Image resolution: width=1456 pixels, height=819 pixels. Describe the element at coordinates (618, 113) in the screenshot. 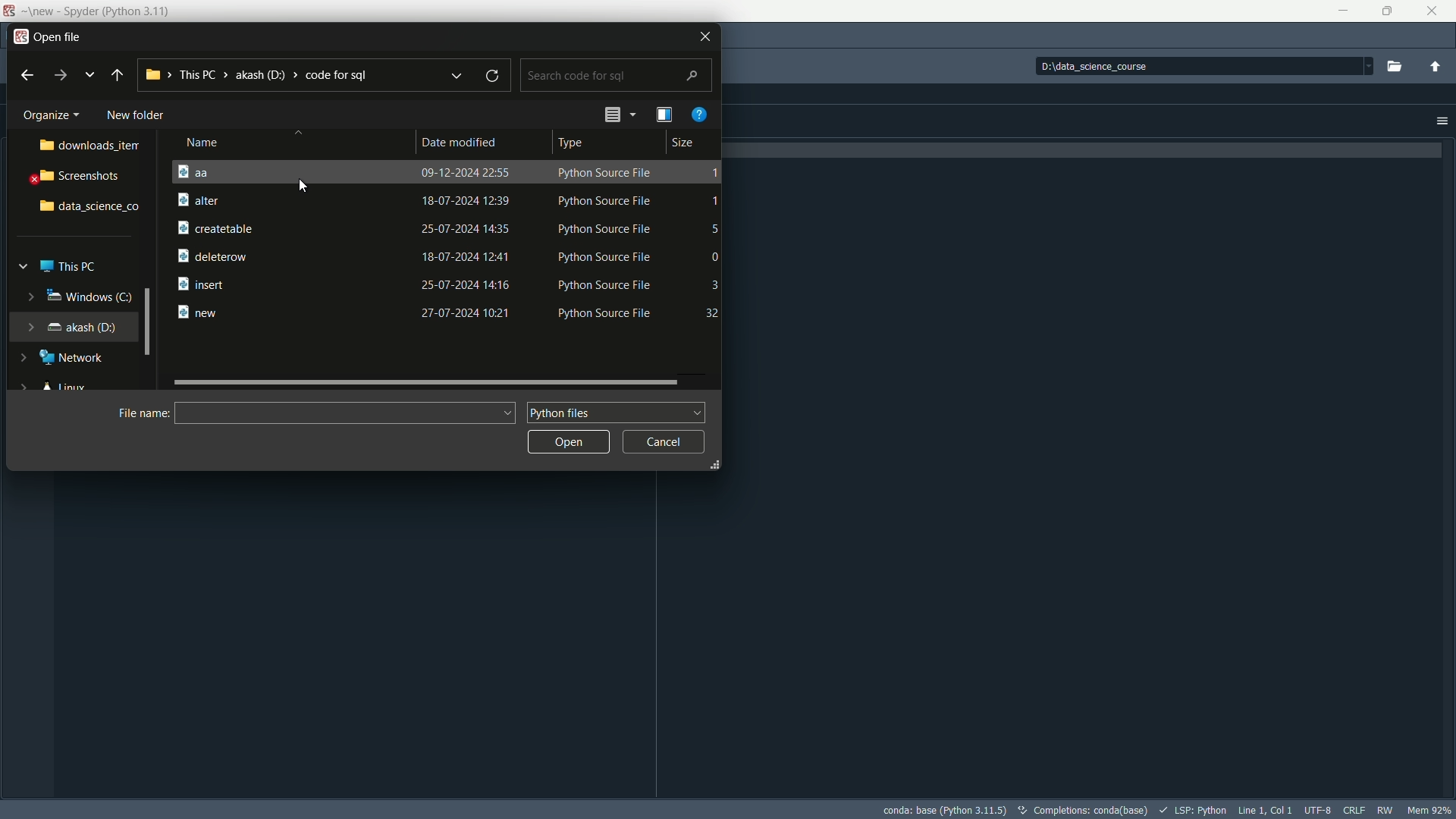

I see `dropdown` at that location.